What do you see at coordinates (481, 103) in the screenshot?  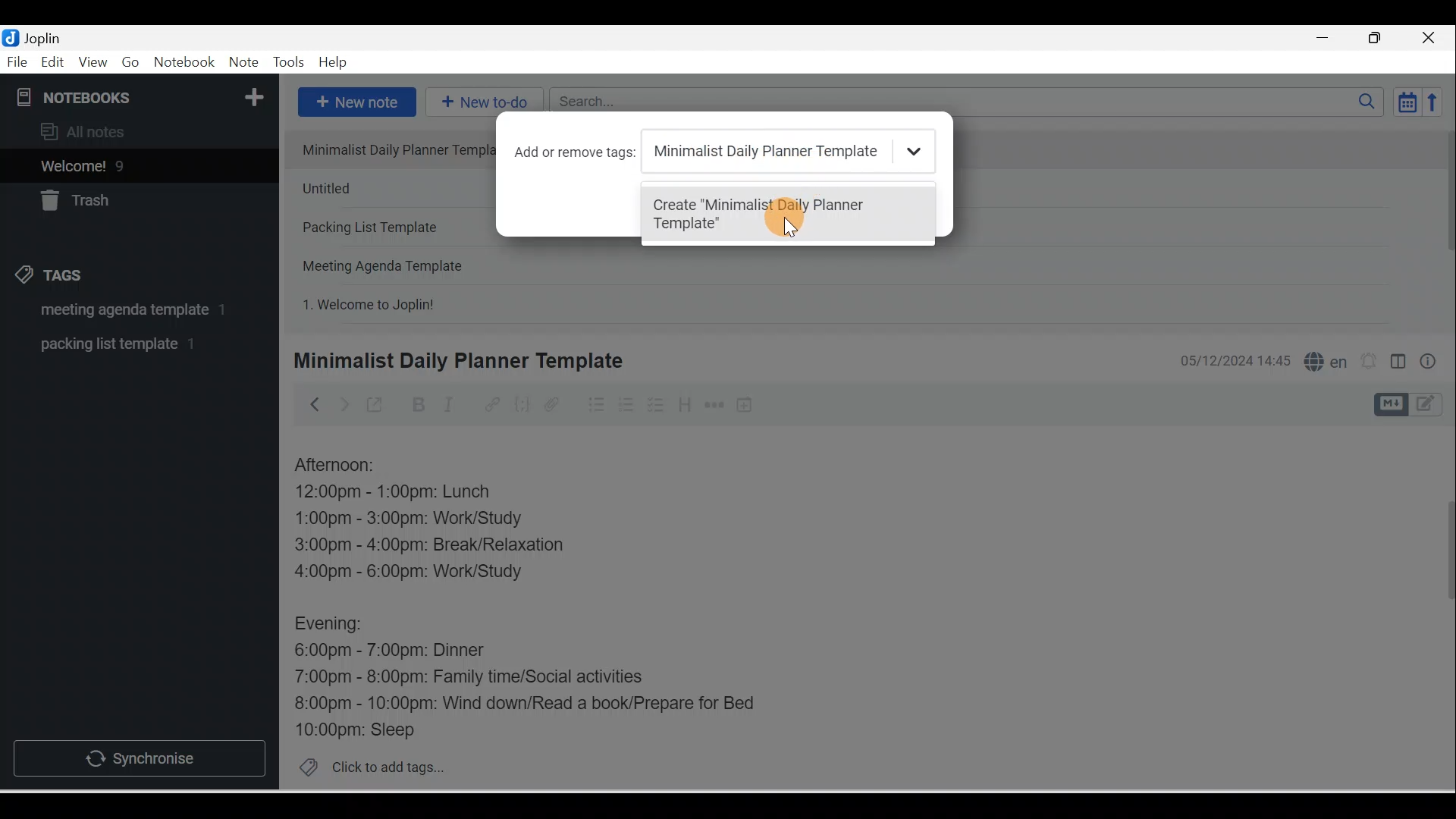 I see `New to-do` at bounding box center [481, 103].